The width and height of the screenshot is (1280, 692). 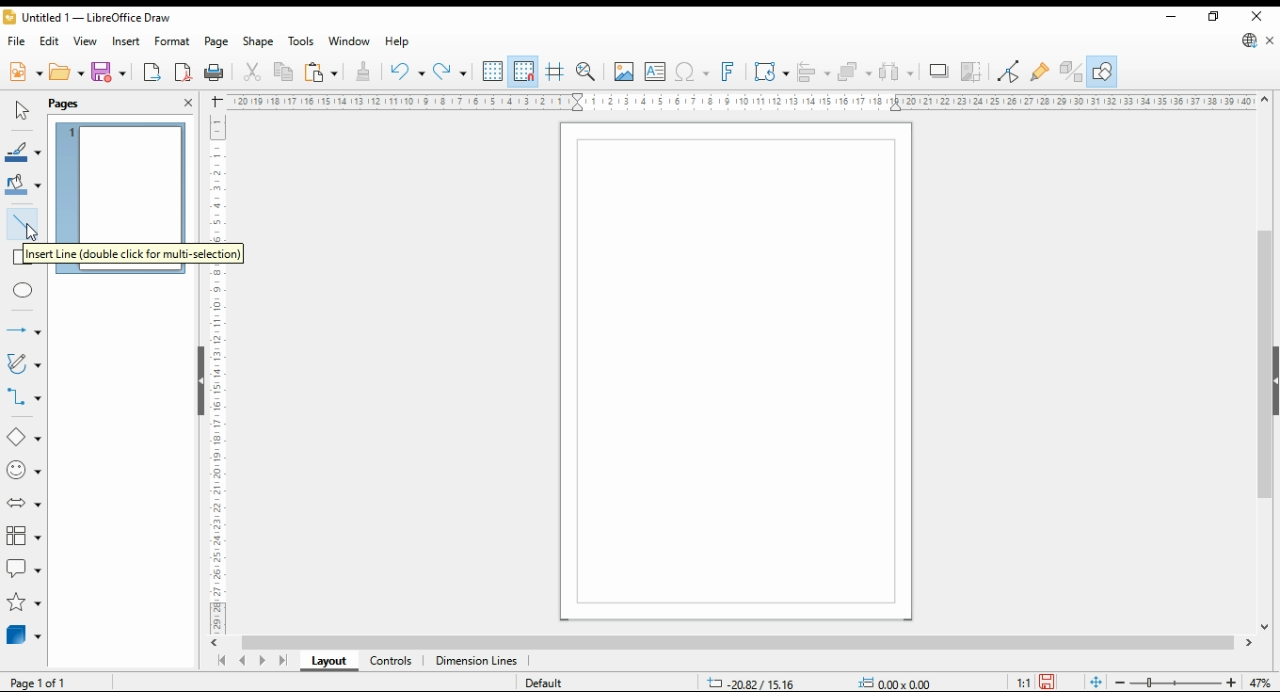 I want to click on select, so click(x=19, y=111).